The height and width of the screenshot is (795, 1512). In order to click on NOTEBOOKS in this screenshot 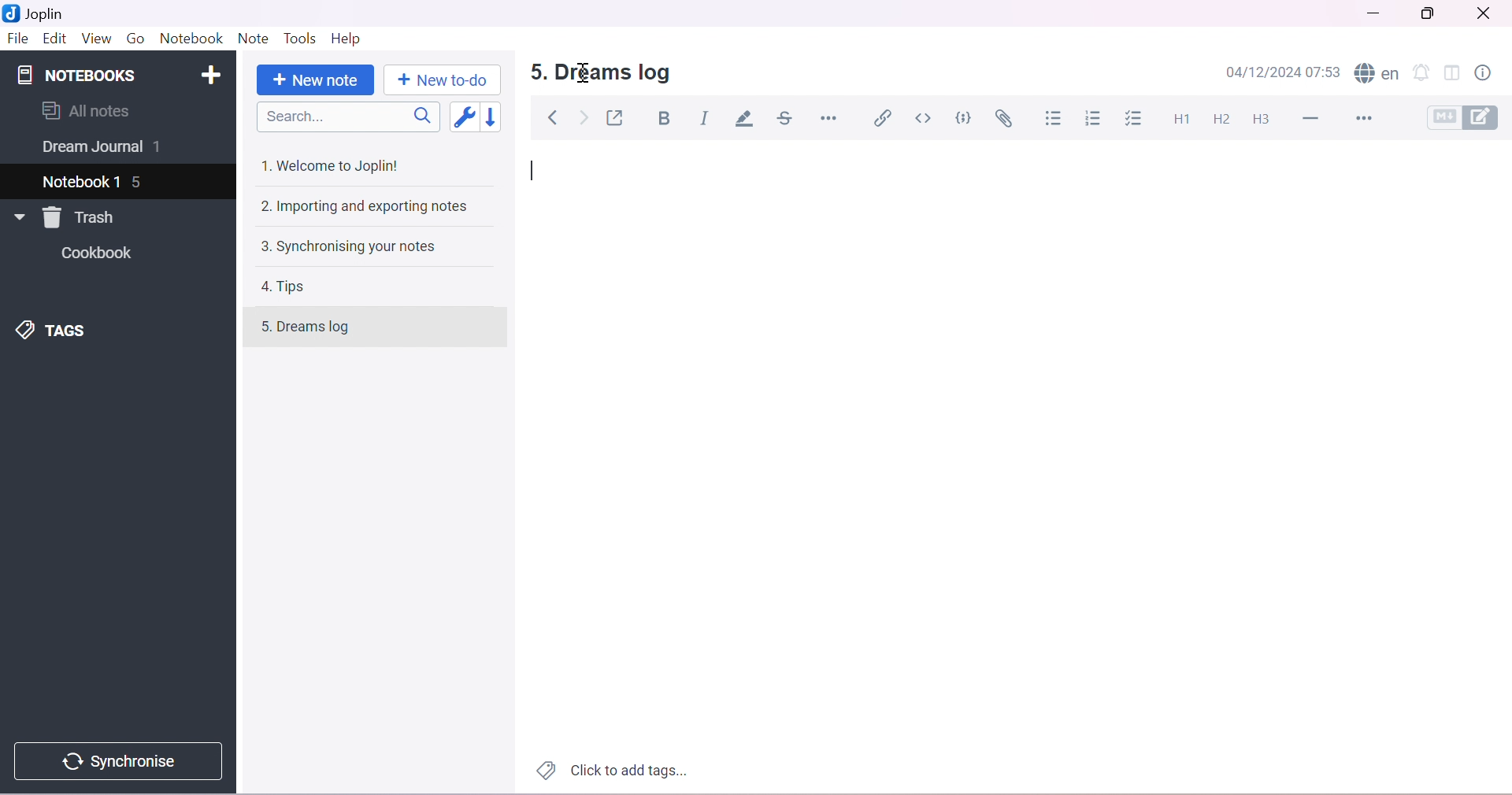, I will do `click(75, 76)`.